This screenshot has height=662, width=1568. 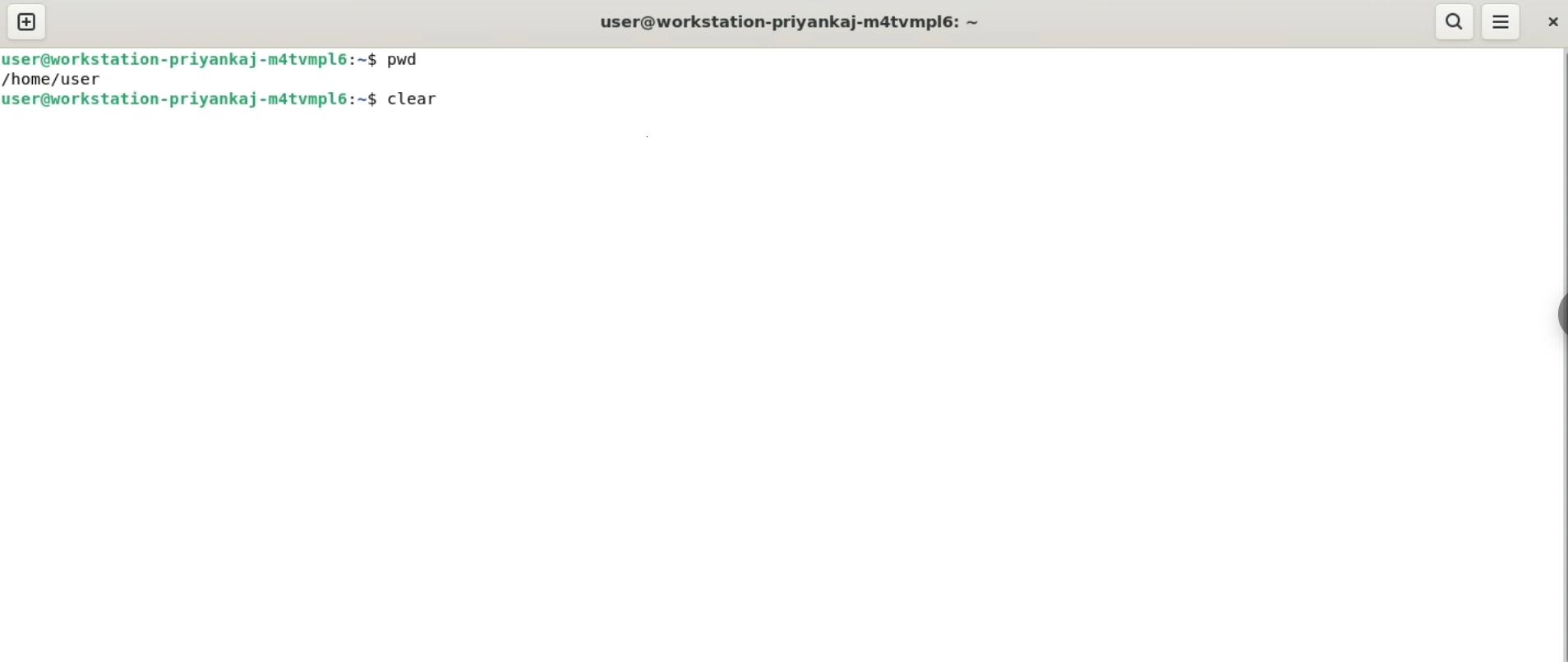 What do you see at coordinates (219, 58) in the screenshot?
I see `user@workstation-privankaj-matvmpl6:~$ pwd` at bounding box center [219, 58].